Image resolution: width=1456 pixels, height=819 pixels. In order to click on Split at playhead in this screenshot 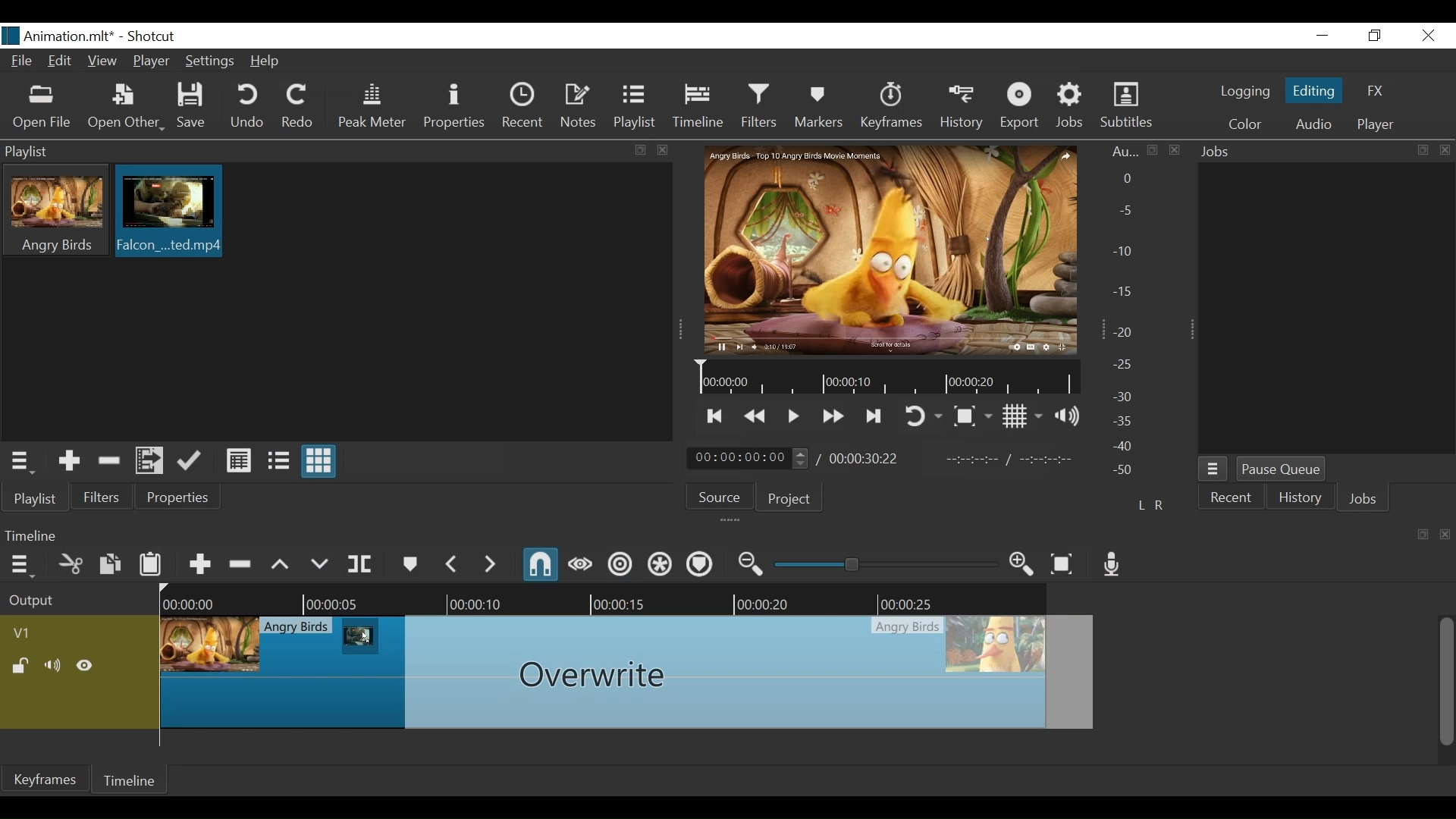, I will do `click(360, 563)`.